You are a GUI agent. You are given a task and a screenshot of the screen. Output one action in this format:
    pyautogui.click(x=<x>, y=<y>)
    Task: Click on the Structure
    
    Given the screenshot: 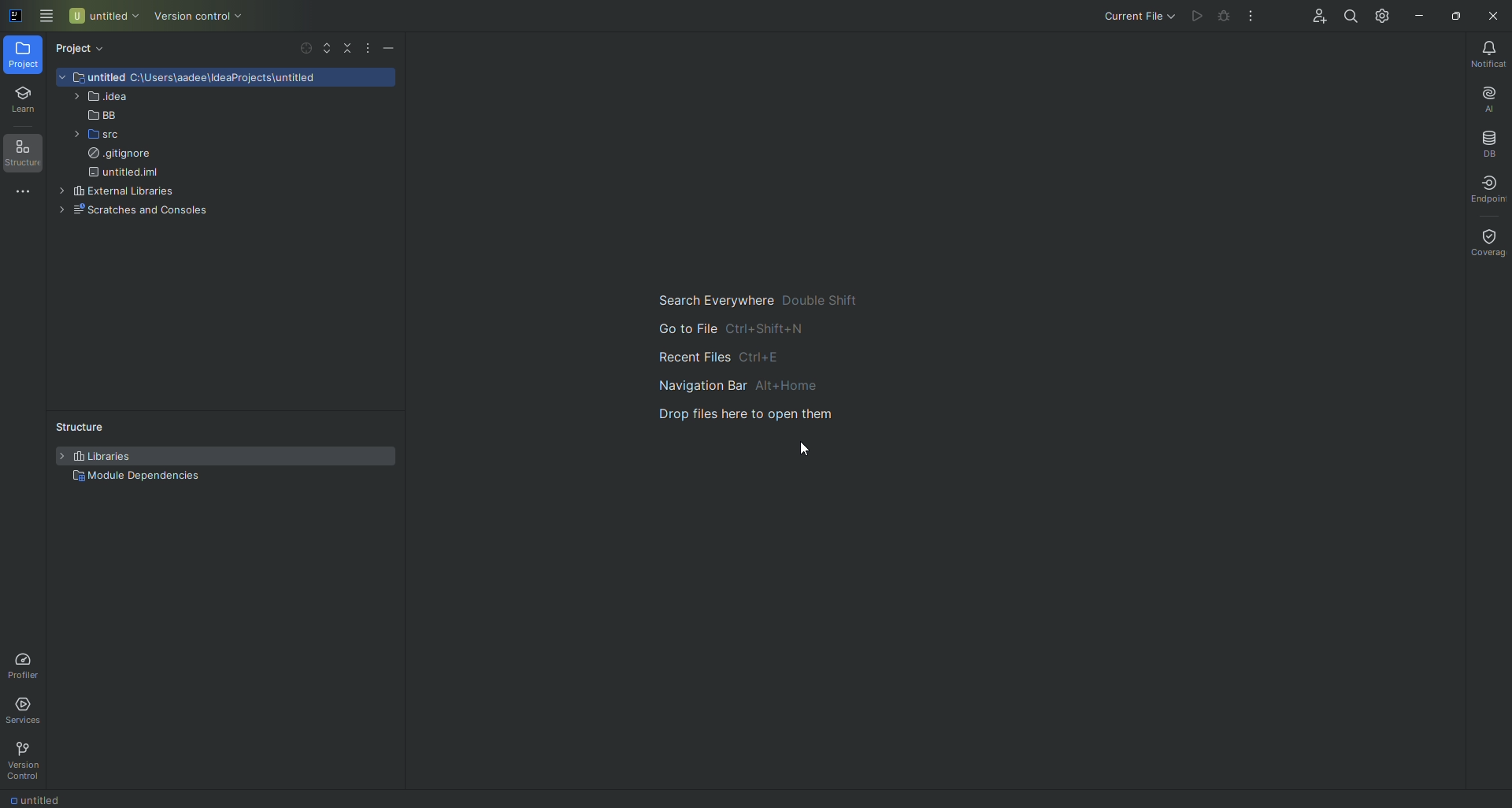 What is the action you would take?
    pyautogui.click(x=75, y=424)
    